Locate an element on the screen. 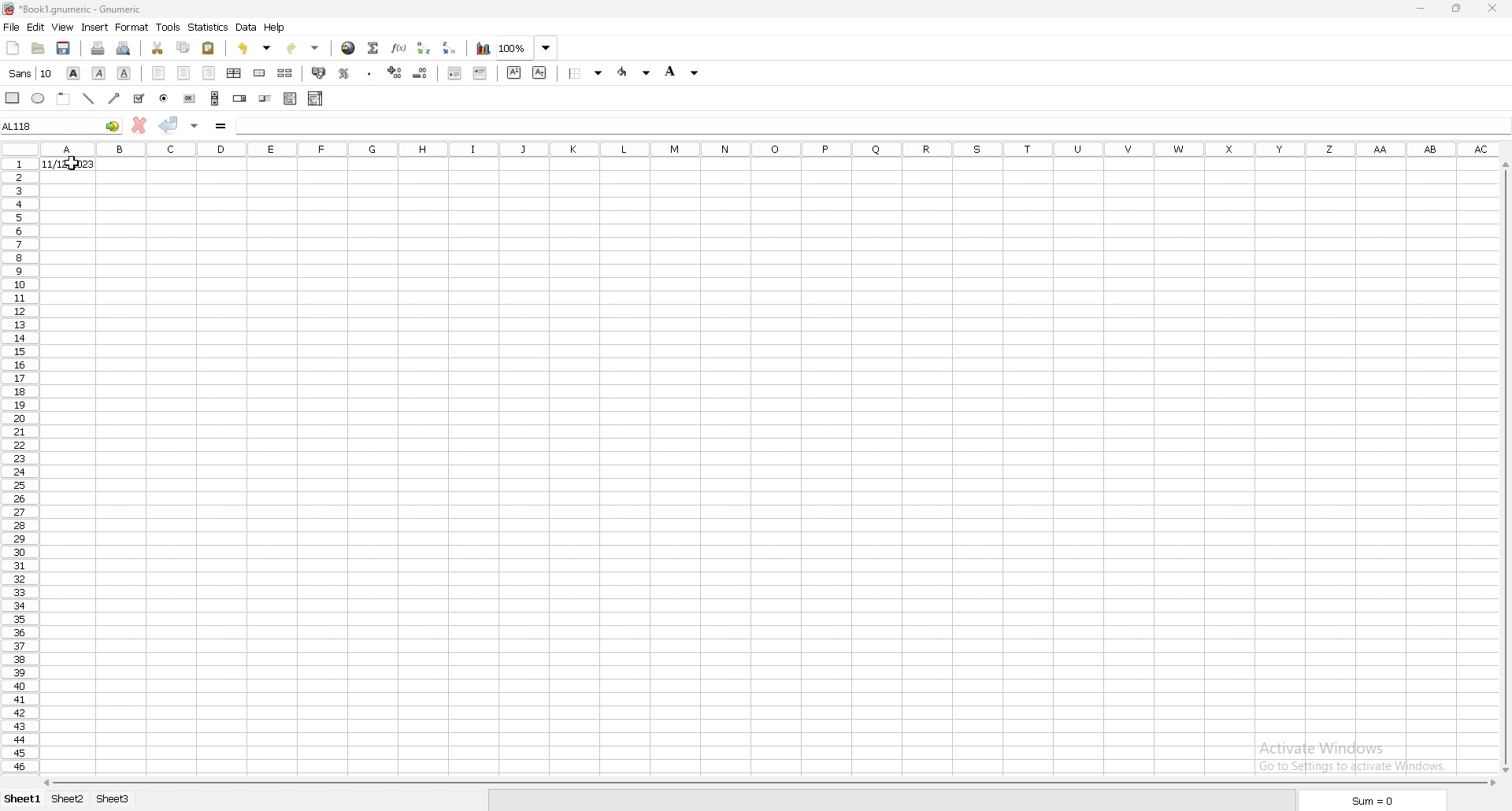 This screenshot has width=1512, height=811. hyperlink is located at coordinates (349, 48).